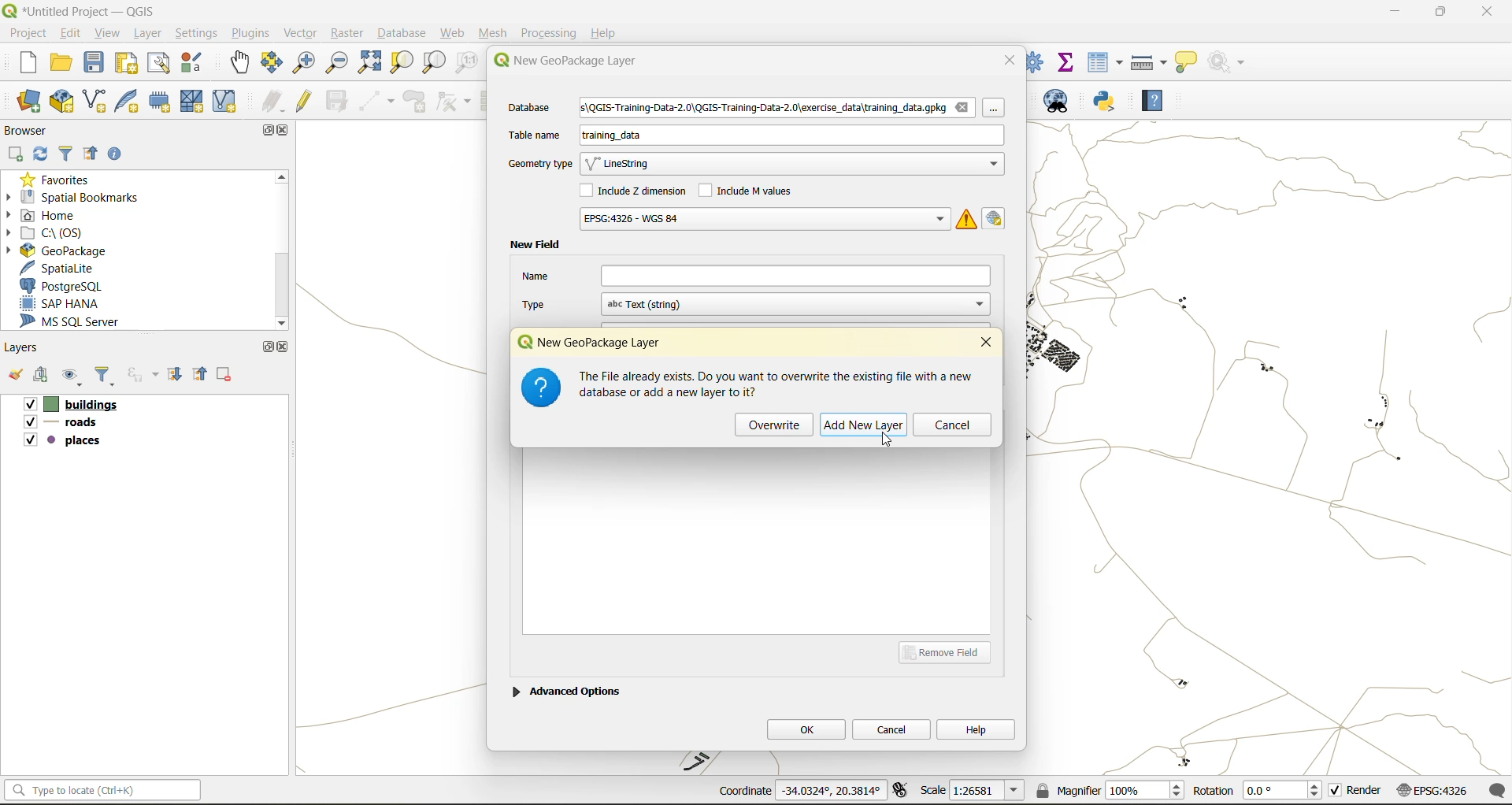  Describe the element at coordinates (286, 132) in the screenshot. I see `close` at that location.